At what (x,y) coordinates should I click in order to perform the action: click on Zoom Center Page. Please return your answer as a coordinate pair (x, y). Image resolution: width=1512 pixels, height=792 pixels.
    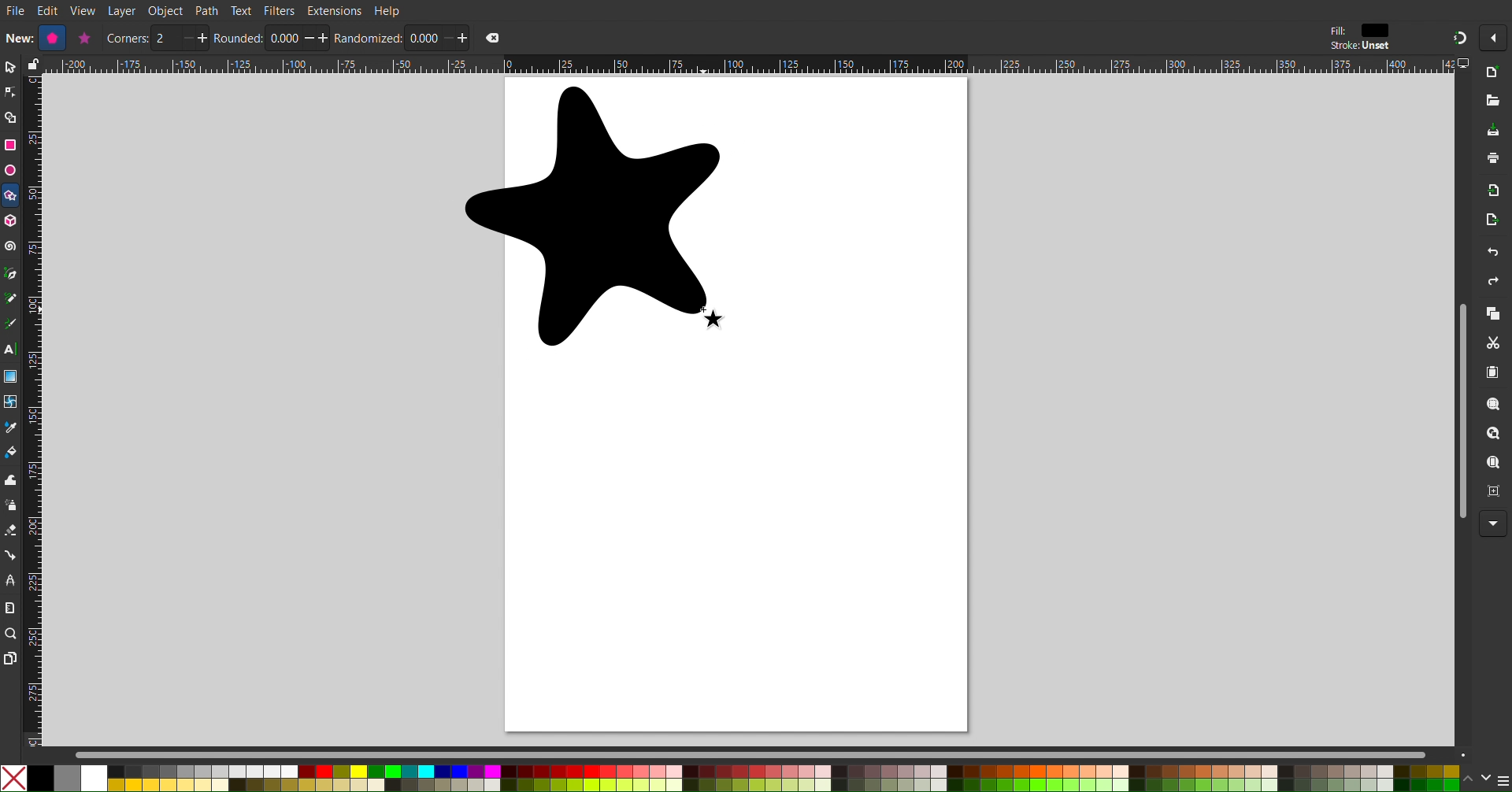
    Looking at the image, I should click on (1495, 495).